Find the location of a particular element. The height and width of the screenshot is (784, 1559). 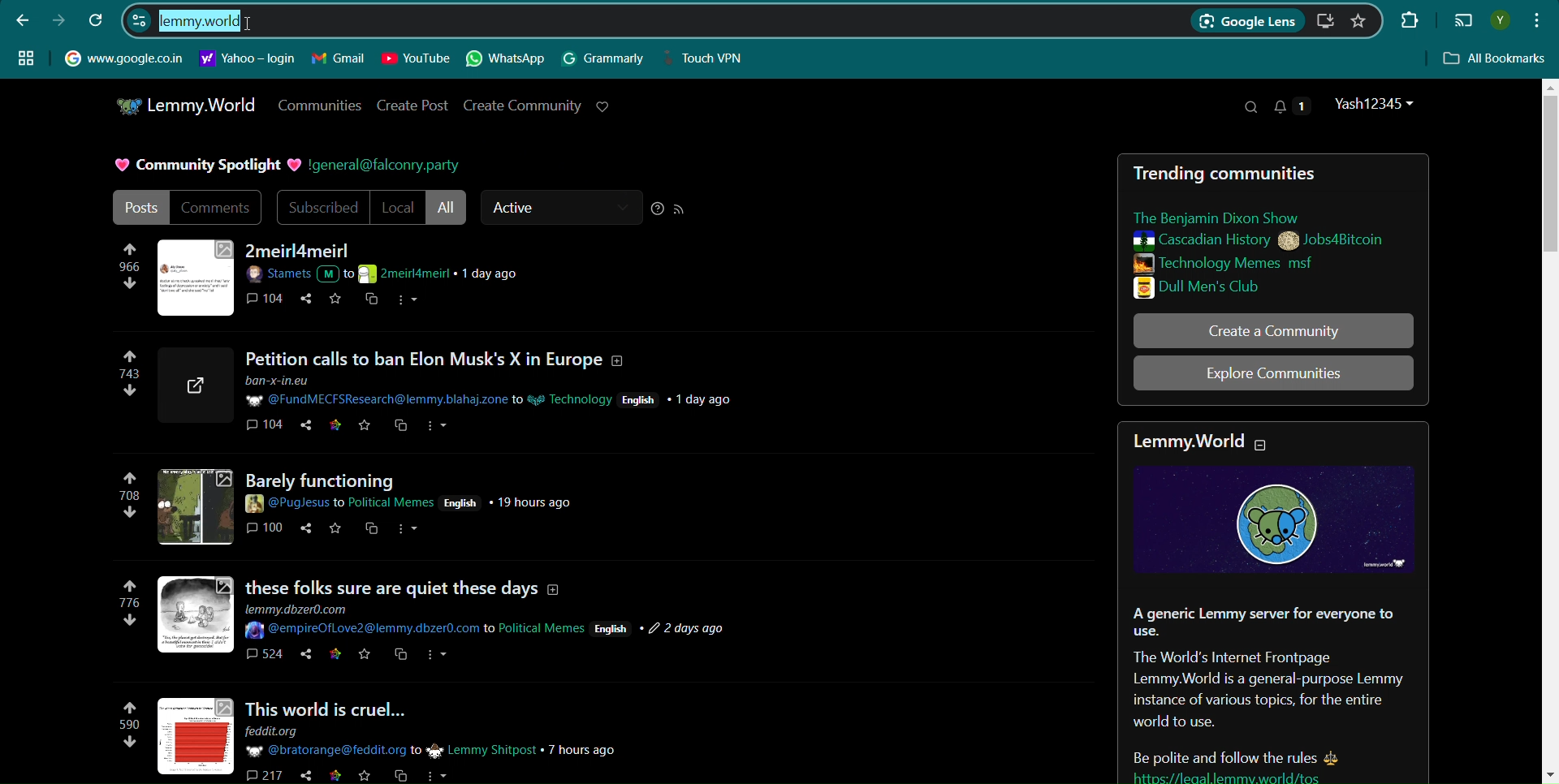

Vertical Scroll bar is located at coordinates (1548, 429).